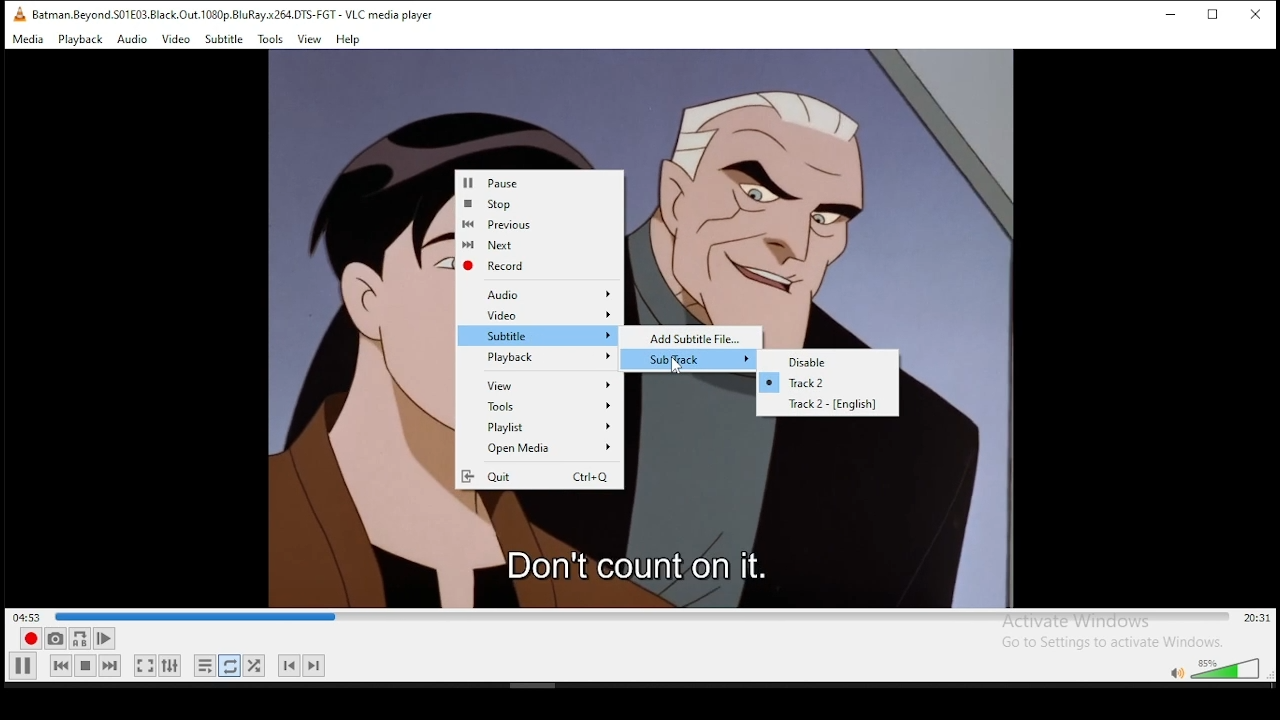  I want to click on volumne control, so click(1214, 669).